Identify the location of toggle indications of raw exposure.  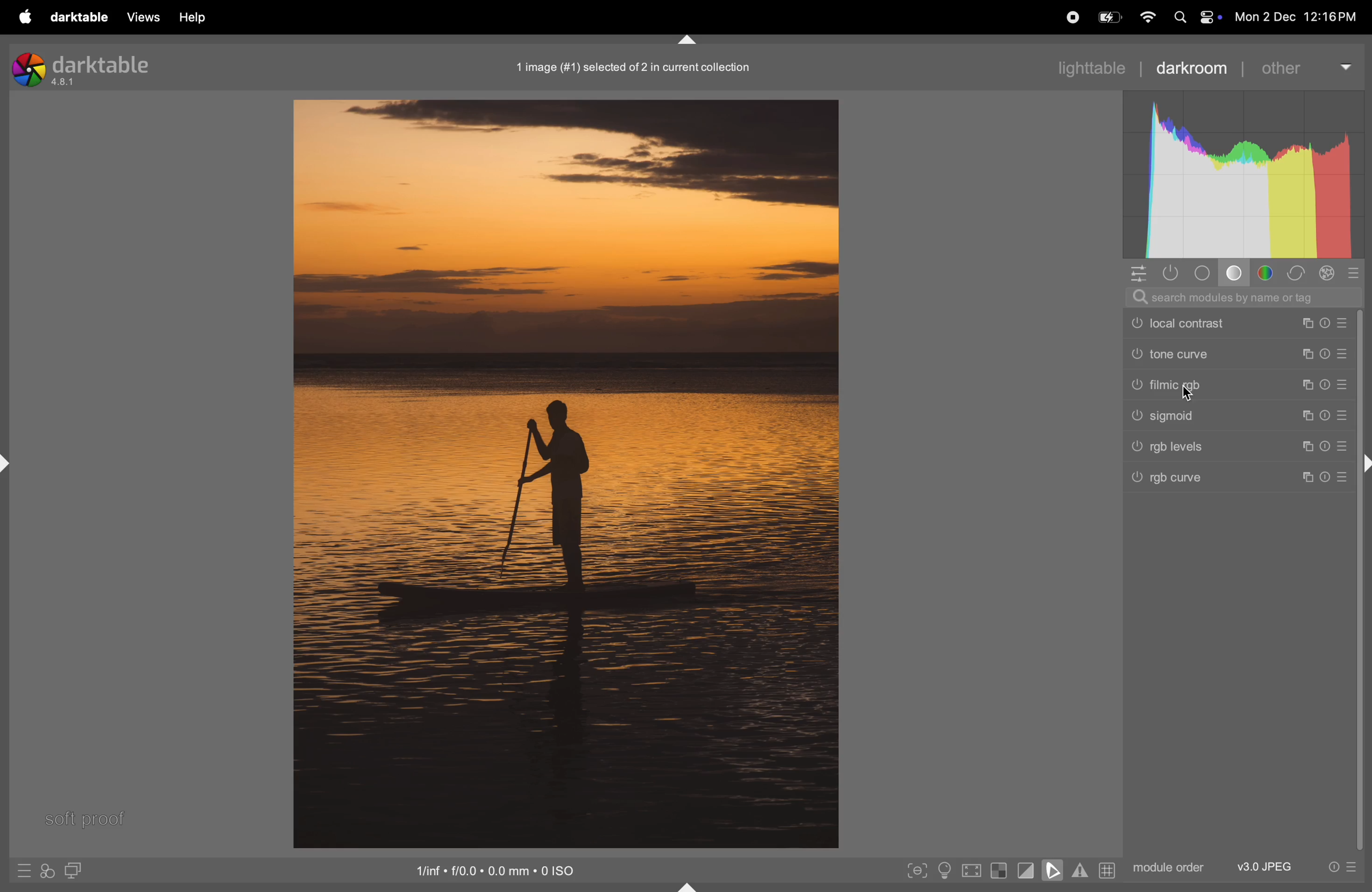
(998, 870).